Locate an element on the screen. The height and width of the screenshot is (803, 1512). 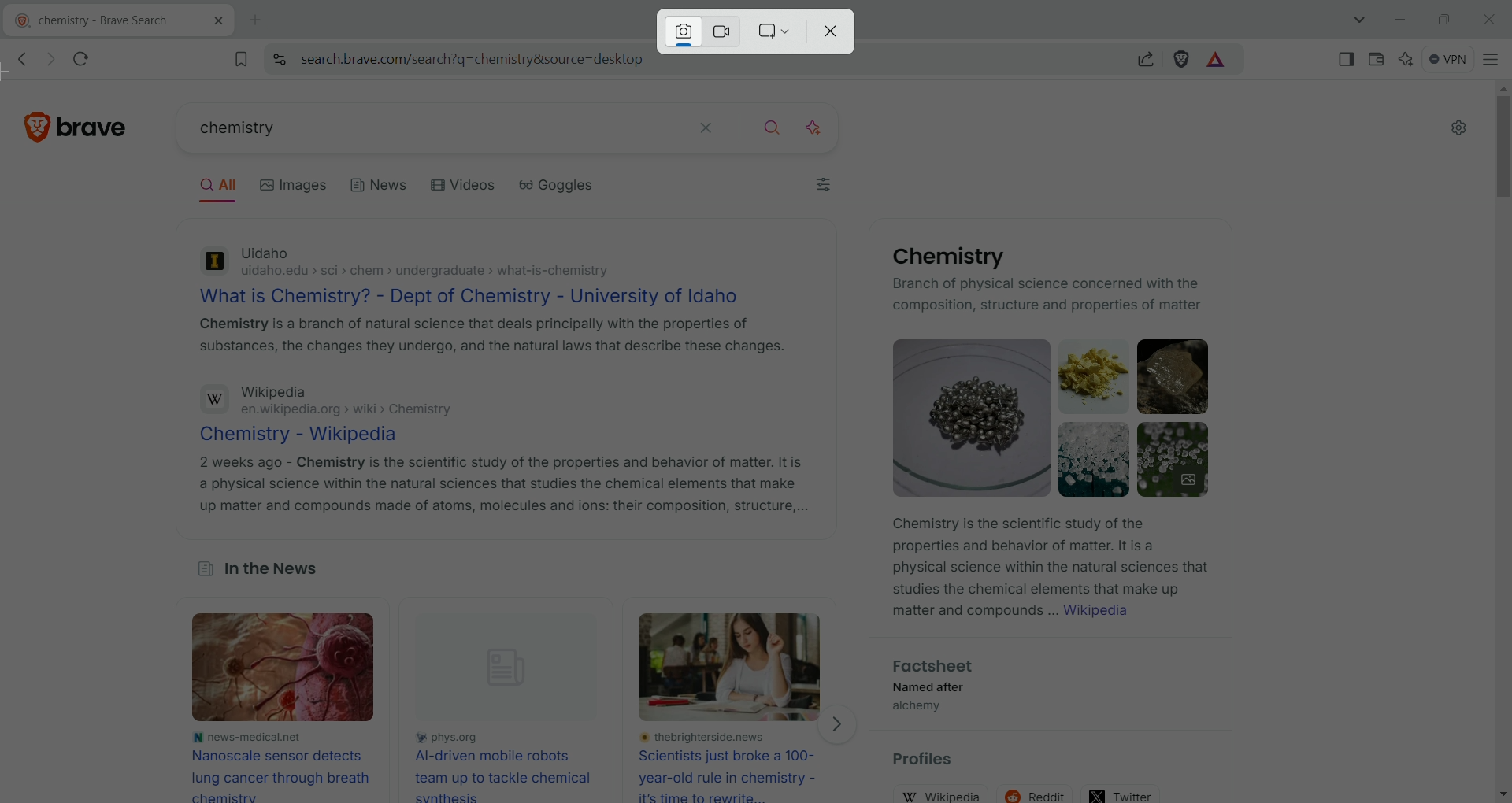
brave is located at coordinates (98, 122).